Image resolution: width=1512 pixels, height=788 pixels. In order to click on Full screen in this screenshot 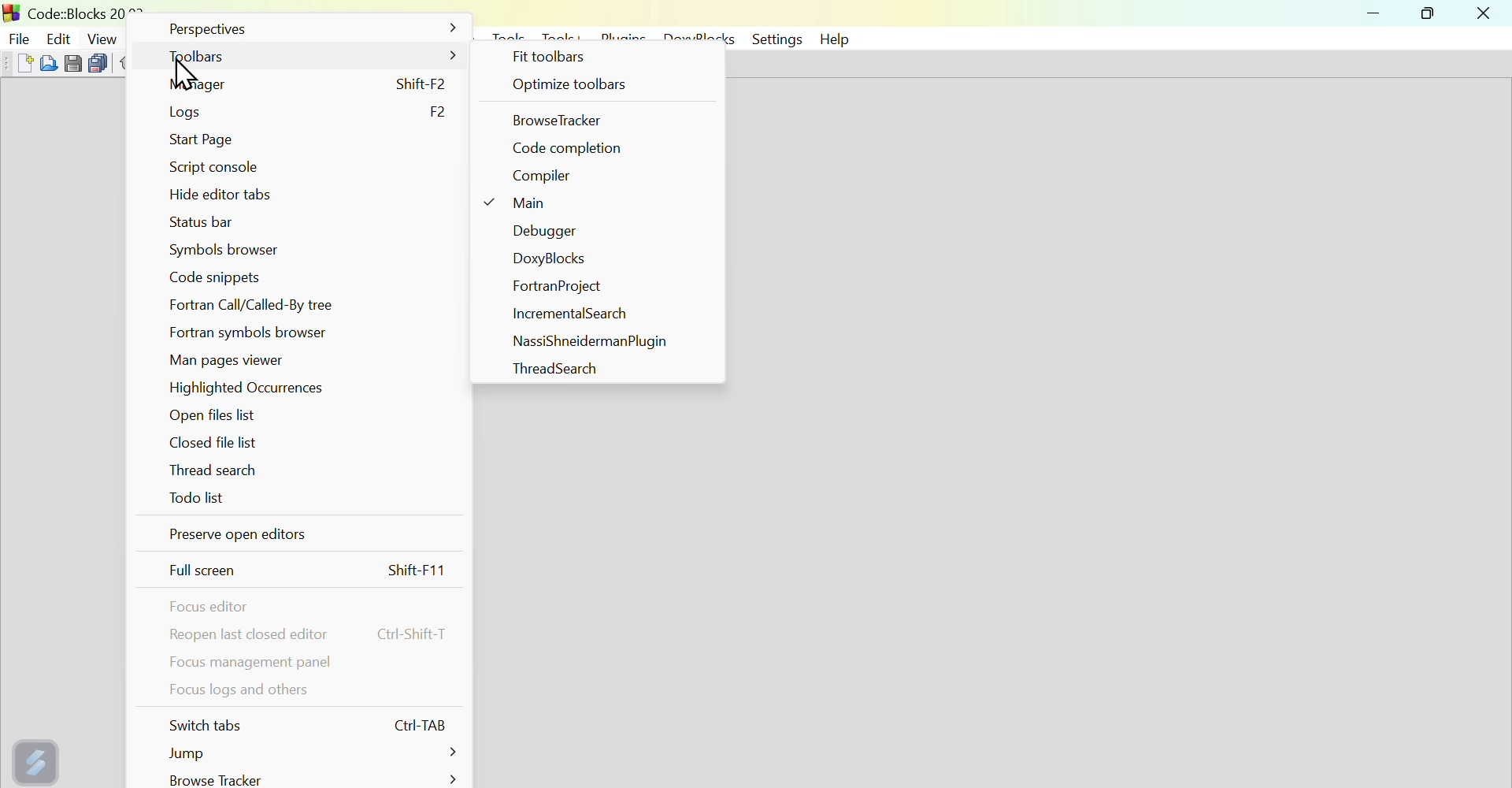, I will do `click(310, 572)`.